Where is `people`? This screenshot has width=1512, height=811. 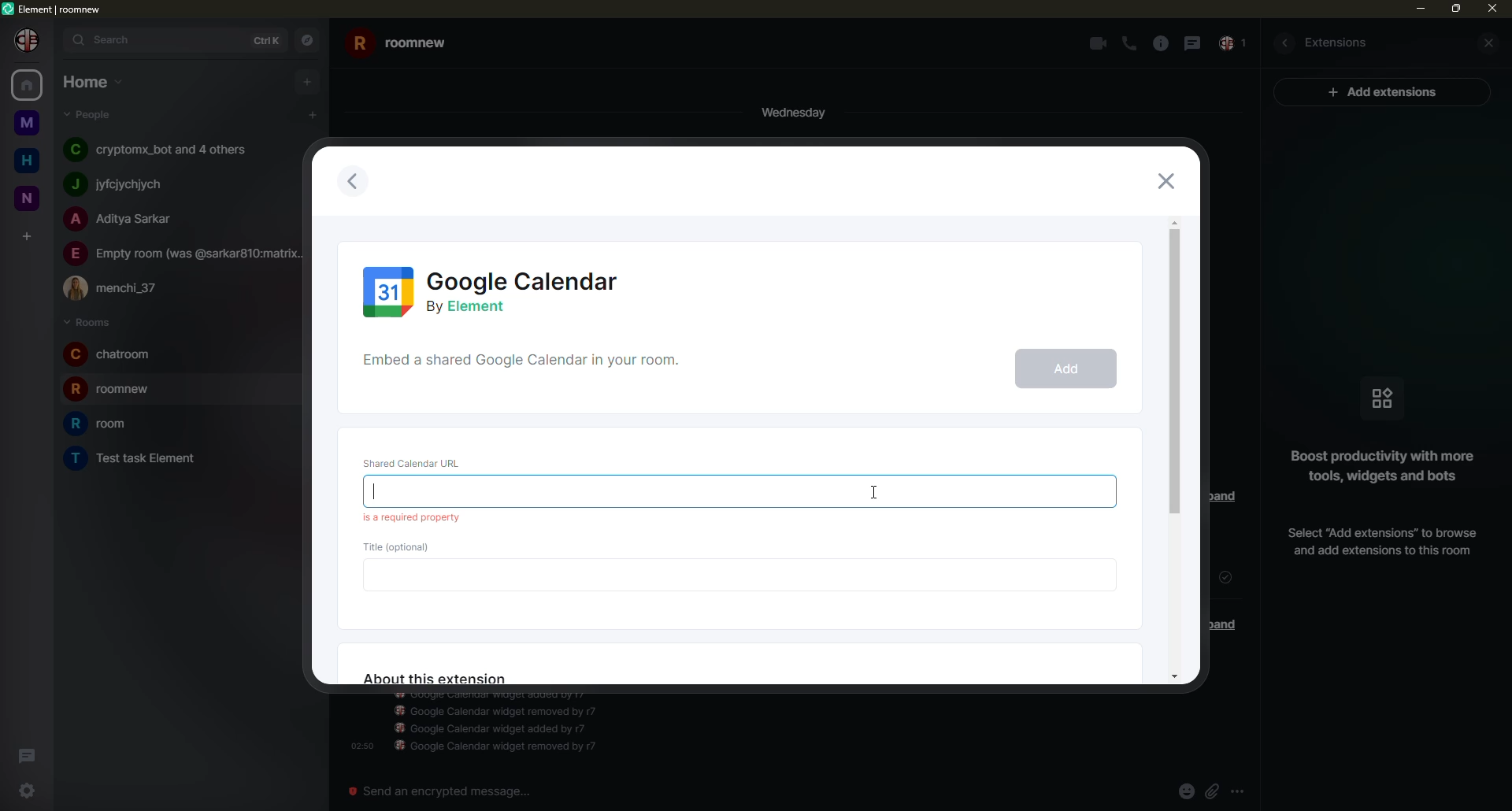 people is located at coordinates (90, 114).